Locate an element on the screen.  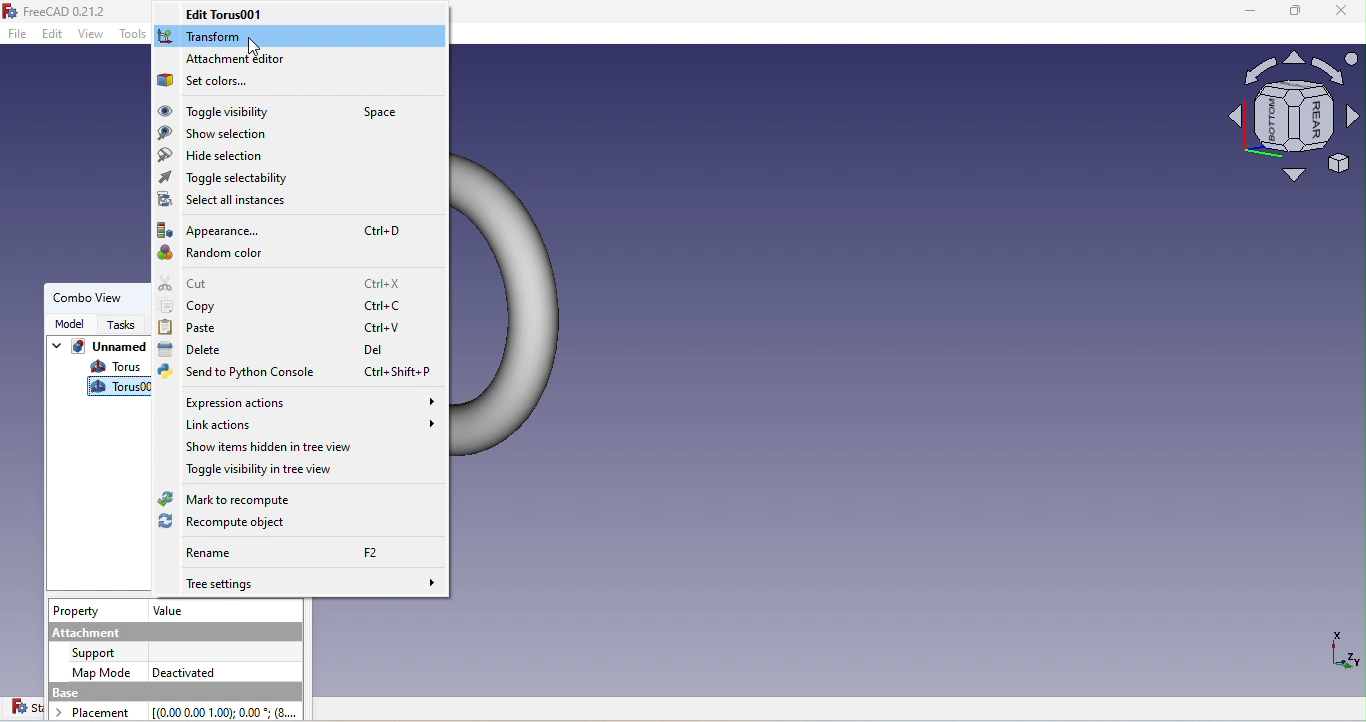
Attachment is located at coordinates (174, 630).